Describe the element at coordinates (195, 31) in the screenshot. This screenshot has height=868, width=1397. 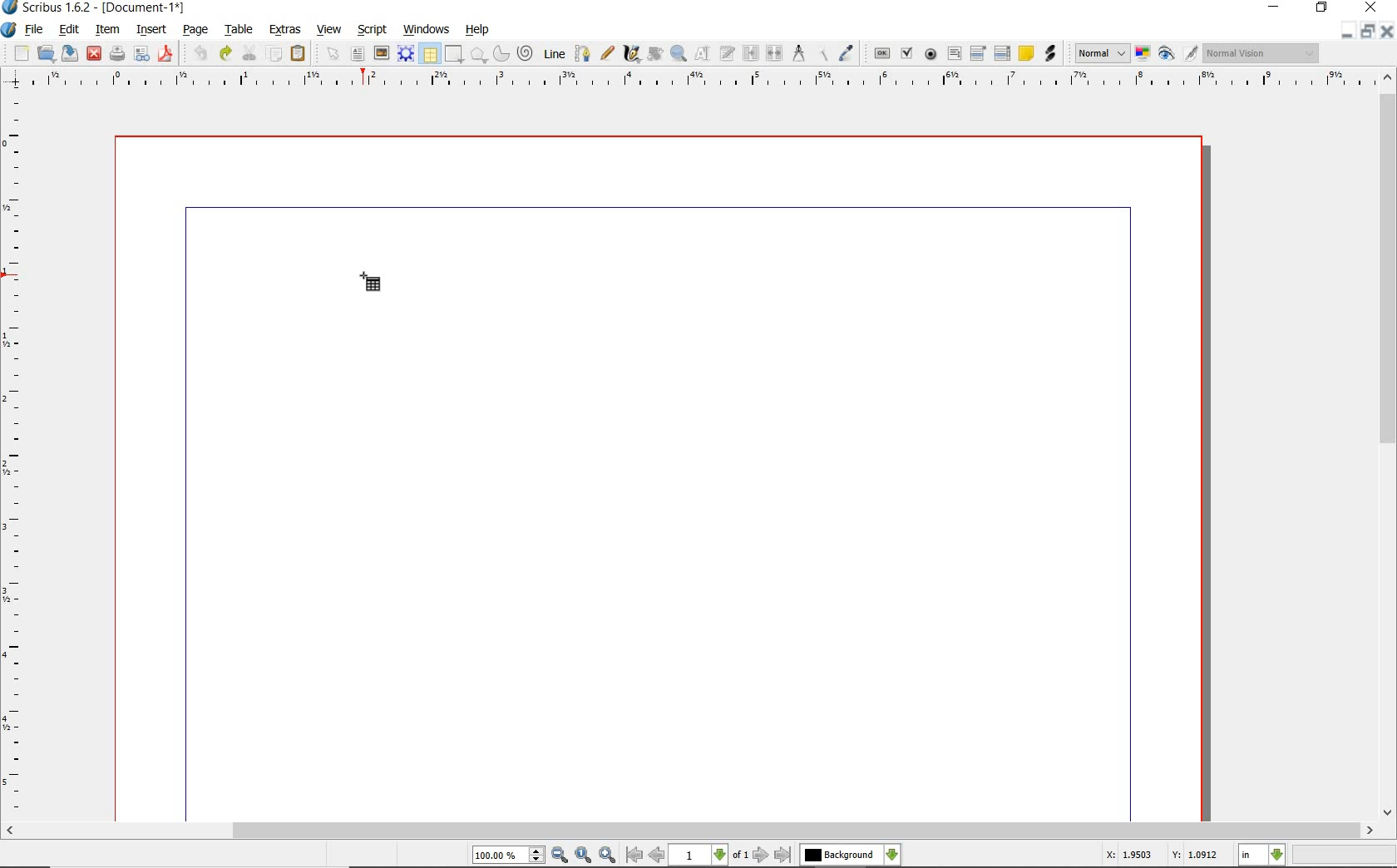
I see `page` at that location.